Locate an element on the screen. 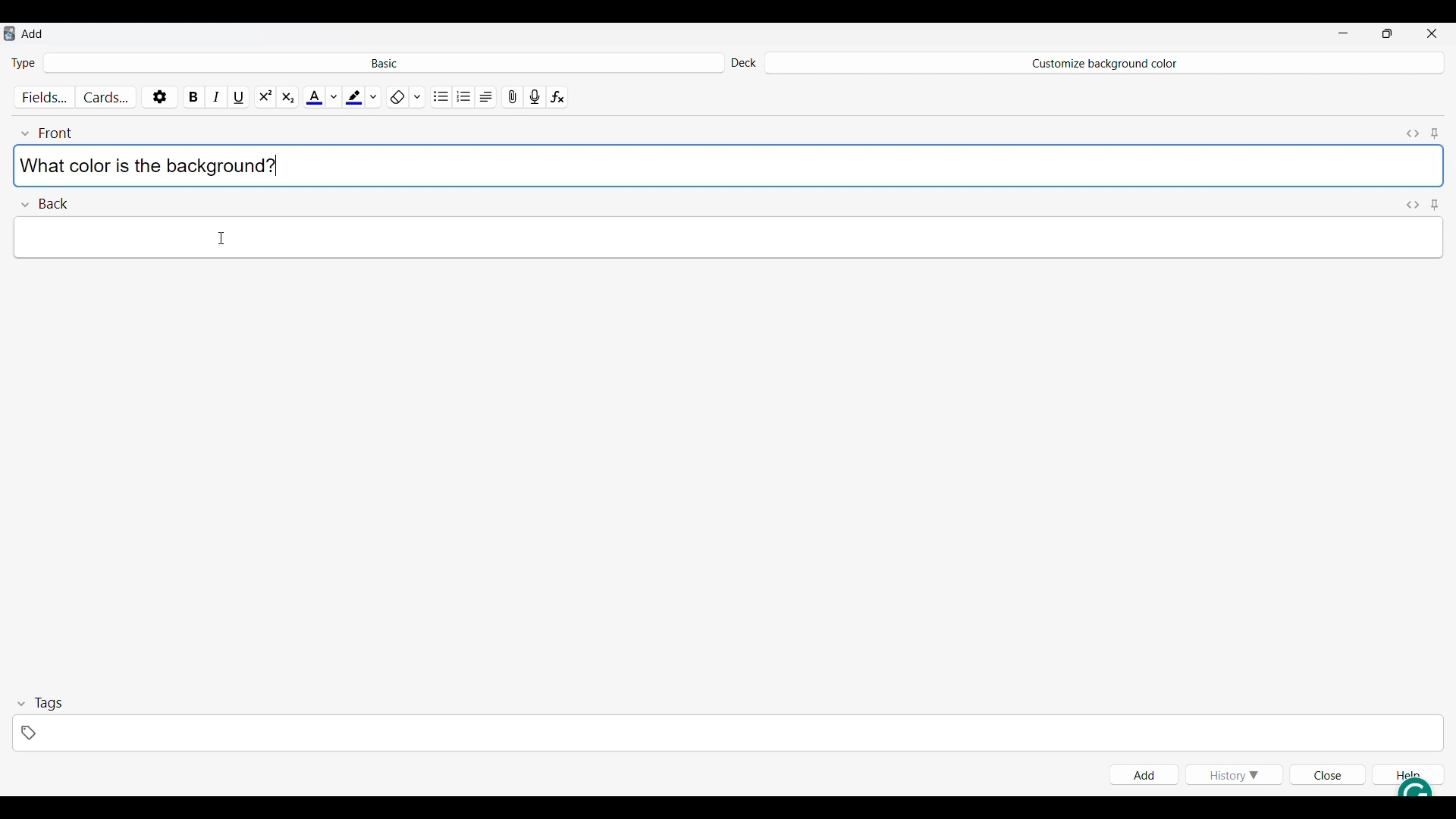  Customize fields is located at coordinates (46, 95).